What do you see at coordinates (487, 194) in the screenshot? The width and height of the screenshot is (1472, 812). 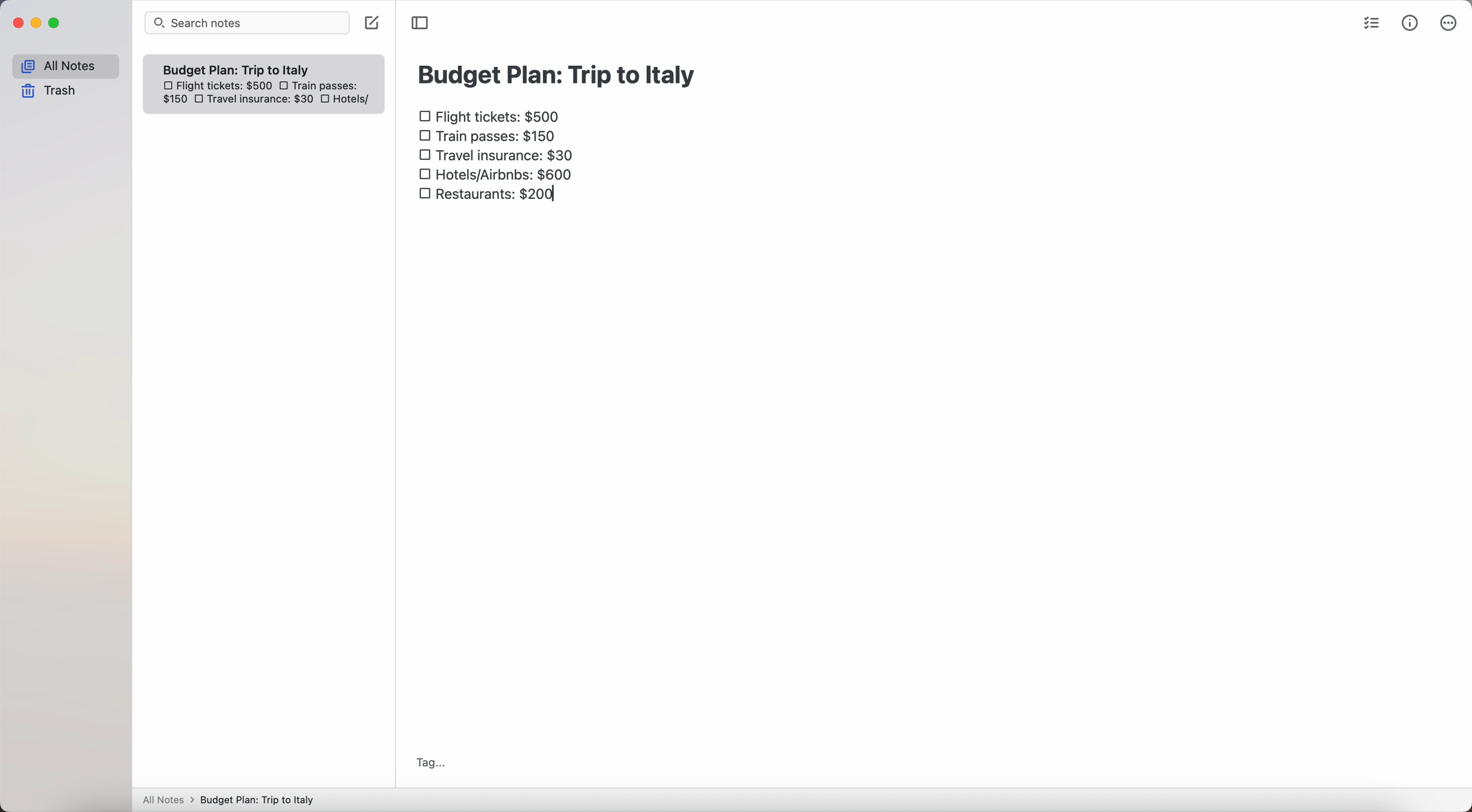 I see `restaurants: $200 checkbox` at bounding box center [487, 194].